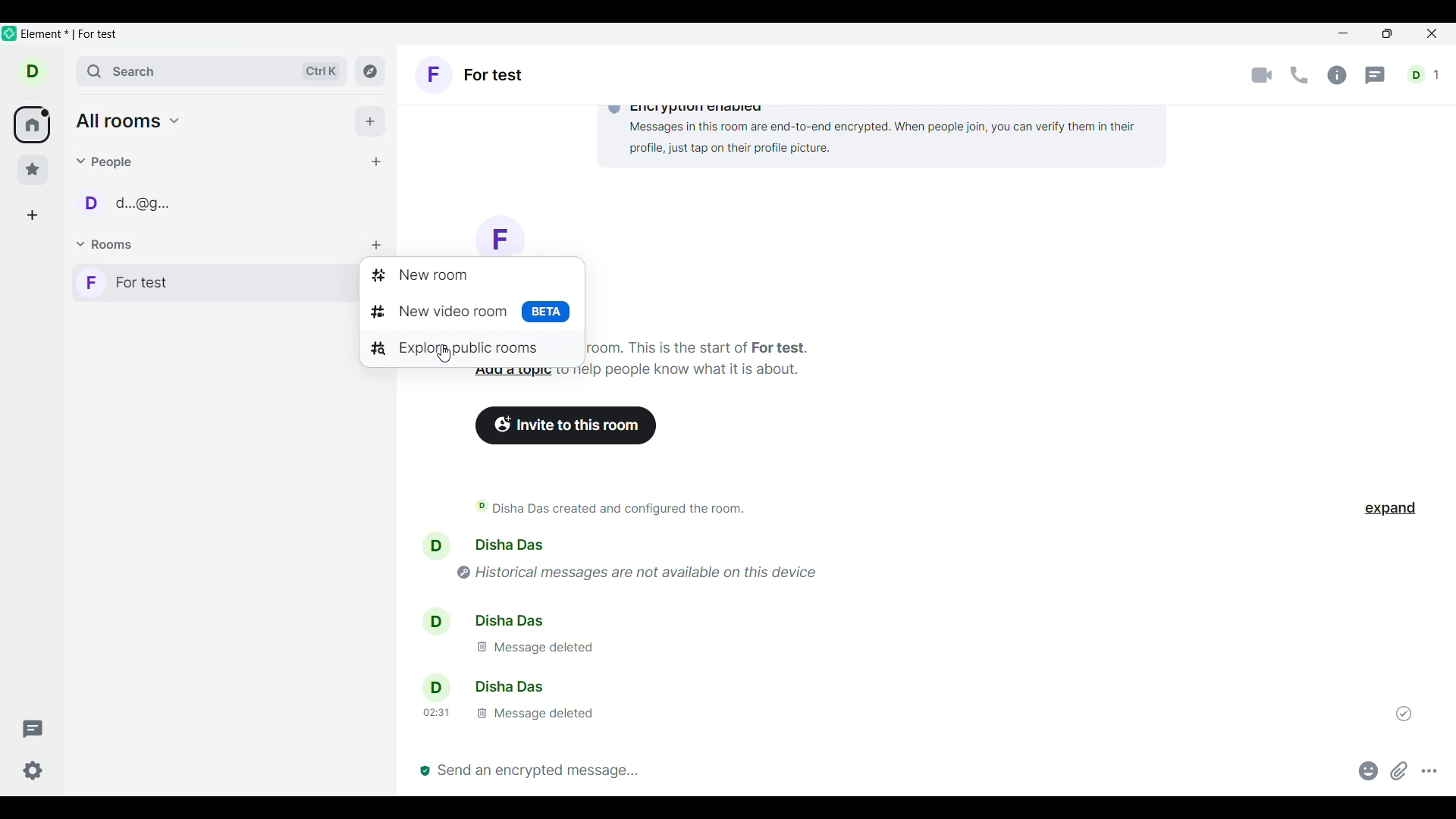 The width and height of the screenshot is (1456, 819). I want to click on Video call, so click(1262, 75).